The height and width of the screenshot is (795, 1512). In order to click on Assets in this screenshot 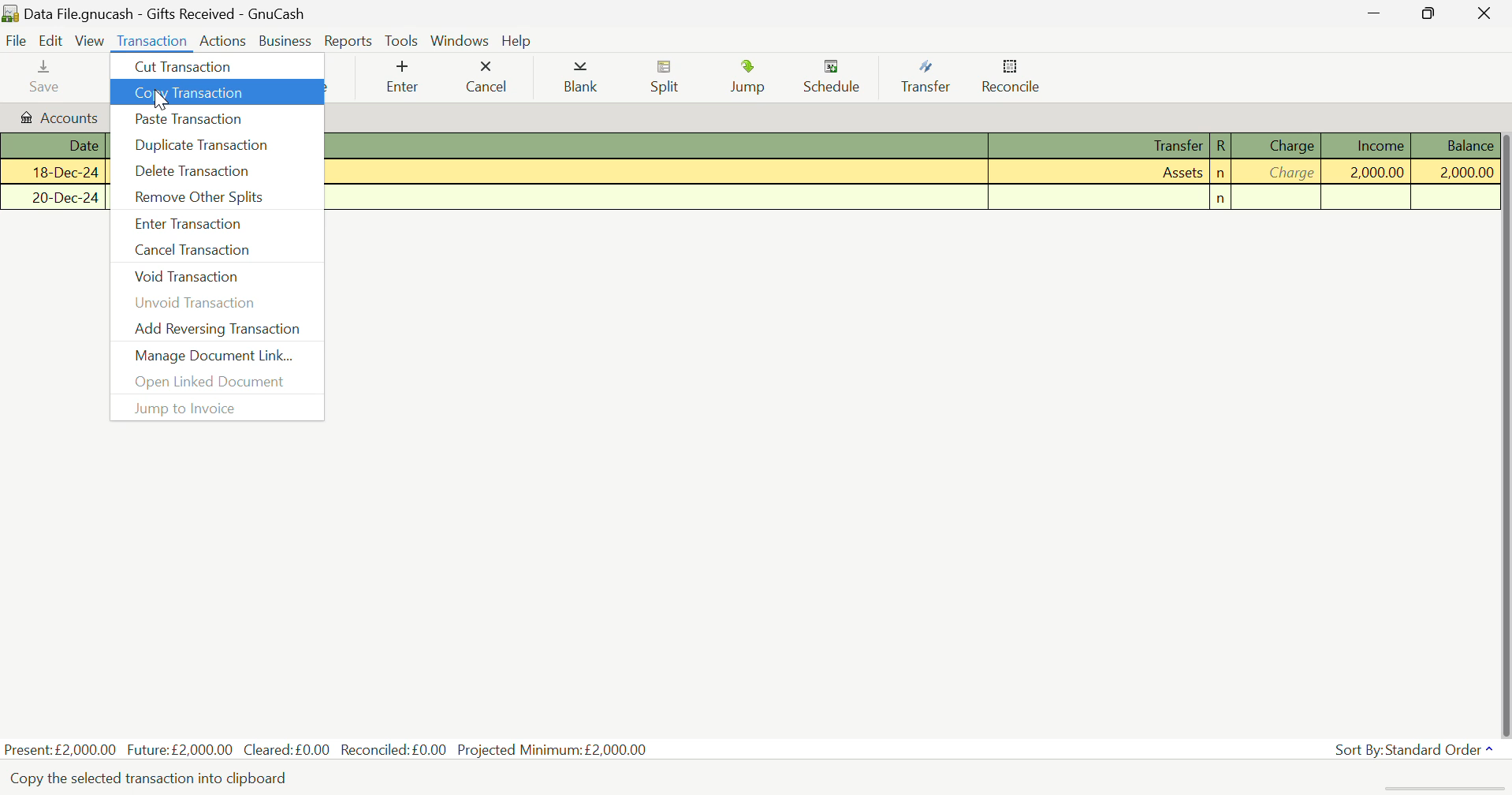, I will do `click(1101, 174)`.